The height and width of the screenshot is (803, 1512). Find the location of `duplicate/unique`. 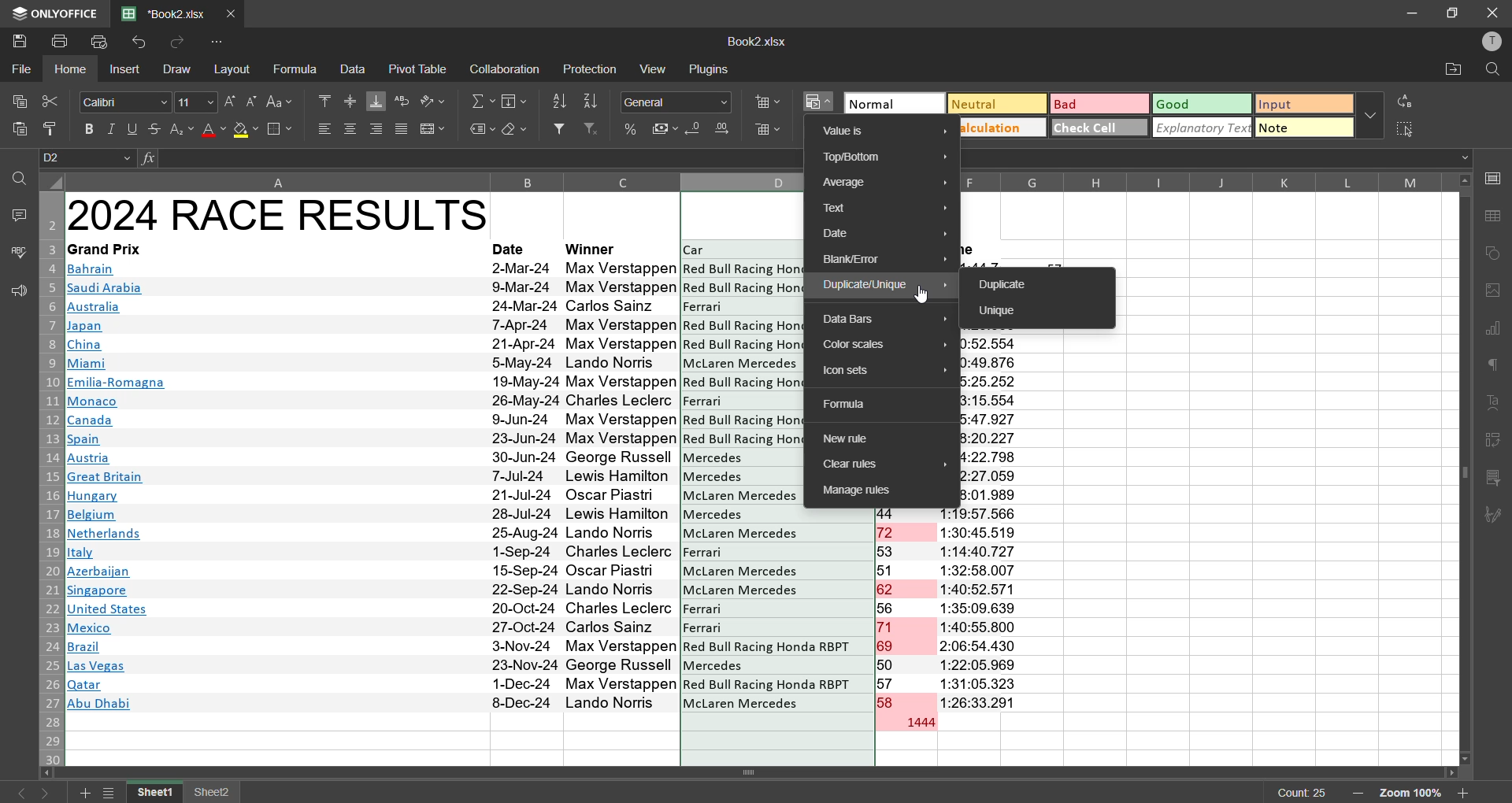

duplicate/unique is located at coordinates (885, 286).